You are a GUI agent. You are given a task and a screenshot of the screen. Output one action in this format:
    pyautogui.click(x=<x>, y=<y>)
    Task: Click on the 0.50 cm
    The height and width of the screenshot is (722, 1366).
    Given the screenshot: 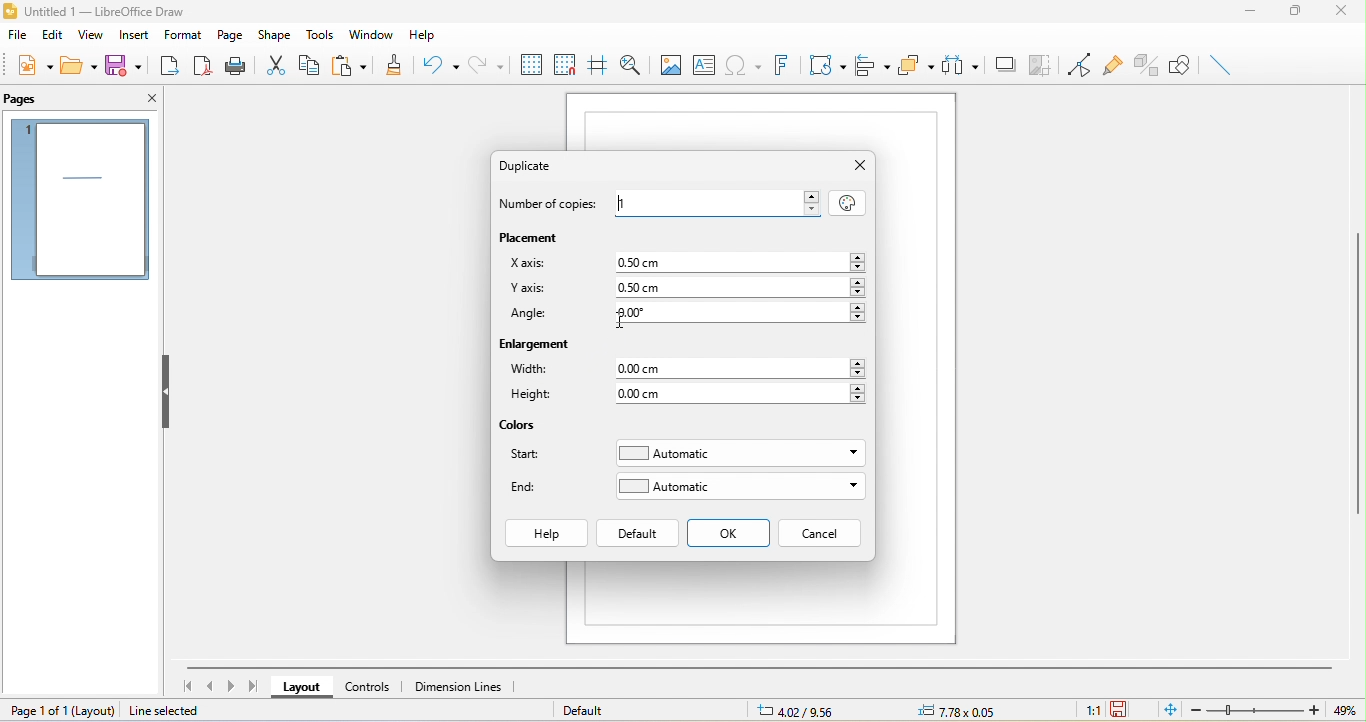 What is the action you would take?
    pyautogui.click(x=732, y=261)
    